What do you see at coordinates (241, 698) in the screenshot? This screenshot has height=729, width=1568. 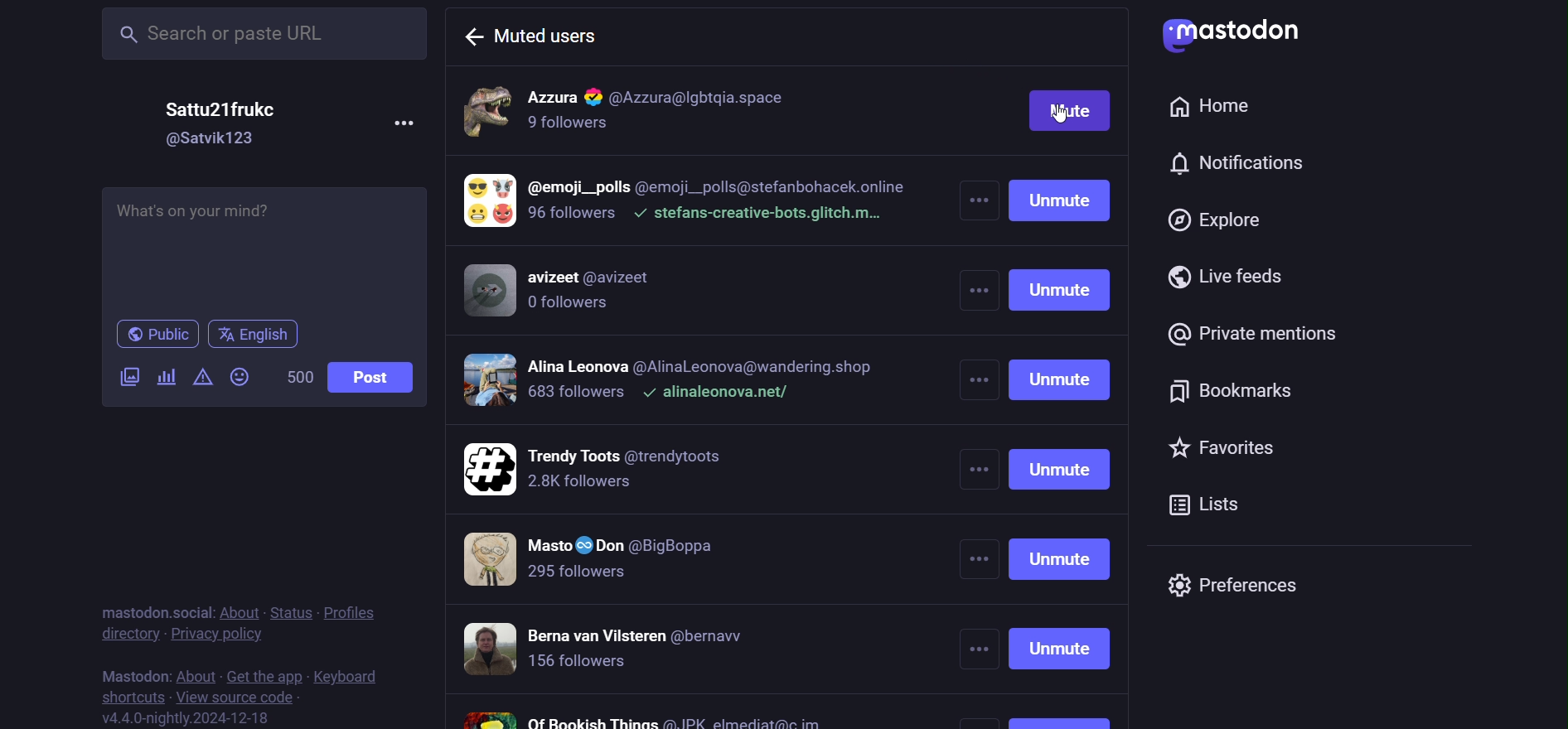 I see `source code` at bounding box center [241, 698].